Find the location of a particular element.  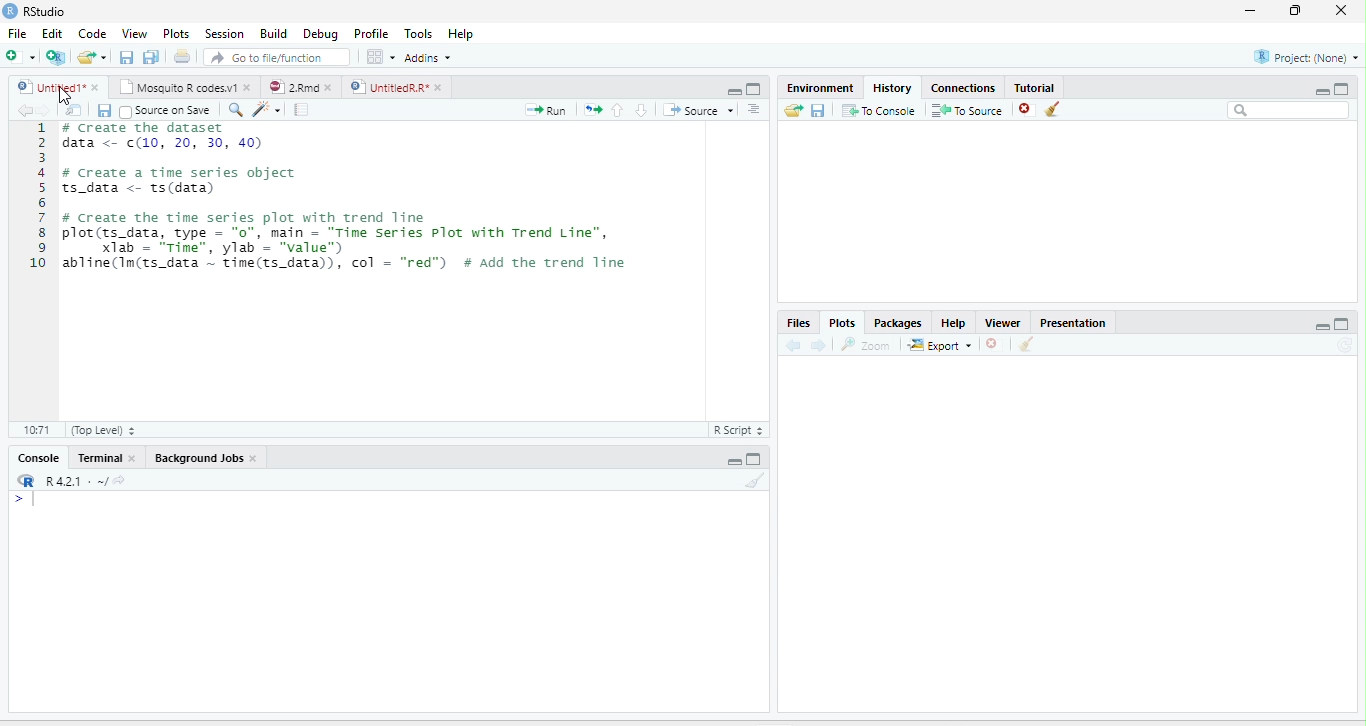

Debug is located at coordinates (320, 34).